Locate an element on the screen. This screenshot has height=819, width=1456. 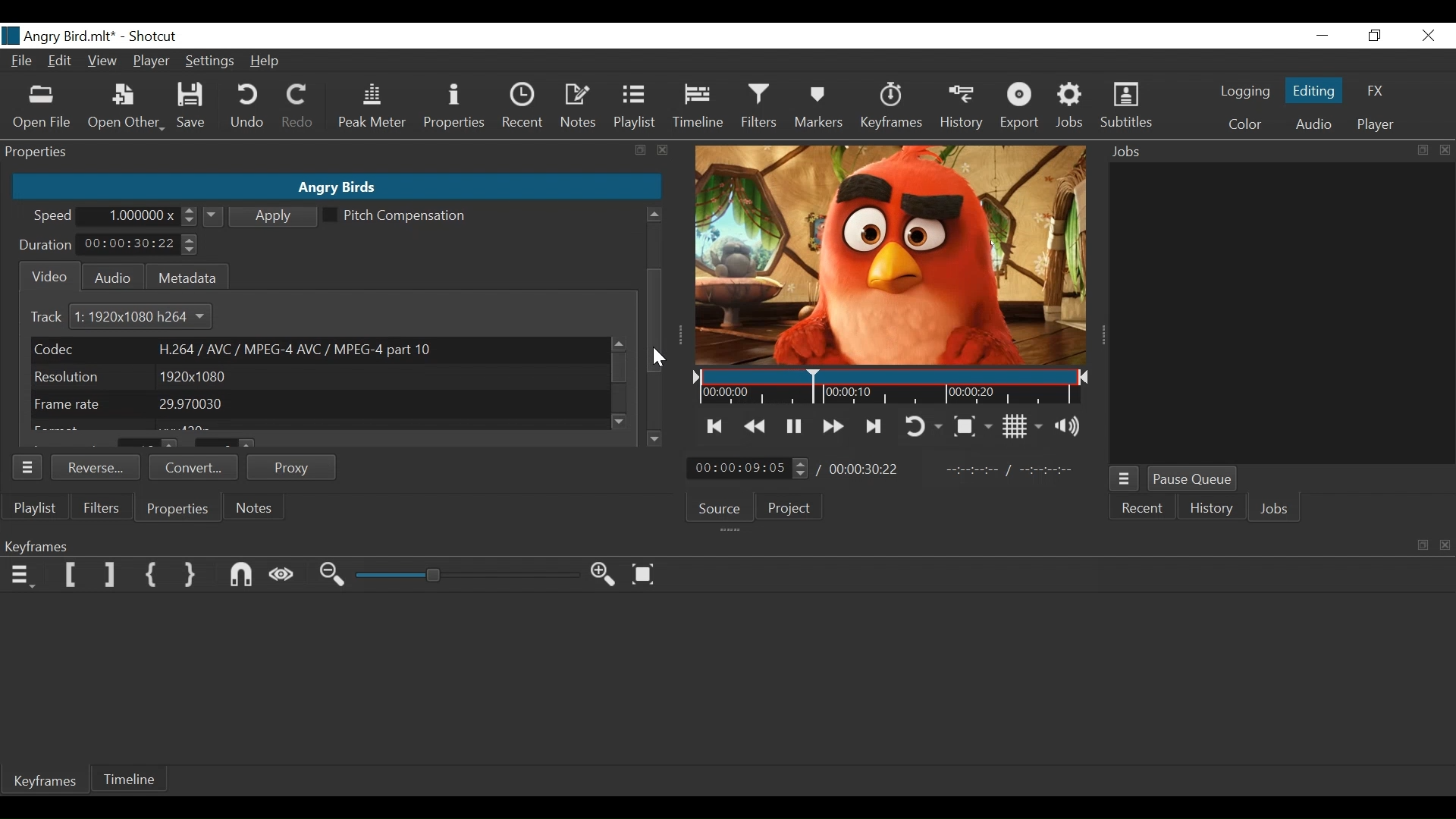
File is located at coordinates (21, 60).